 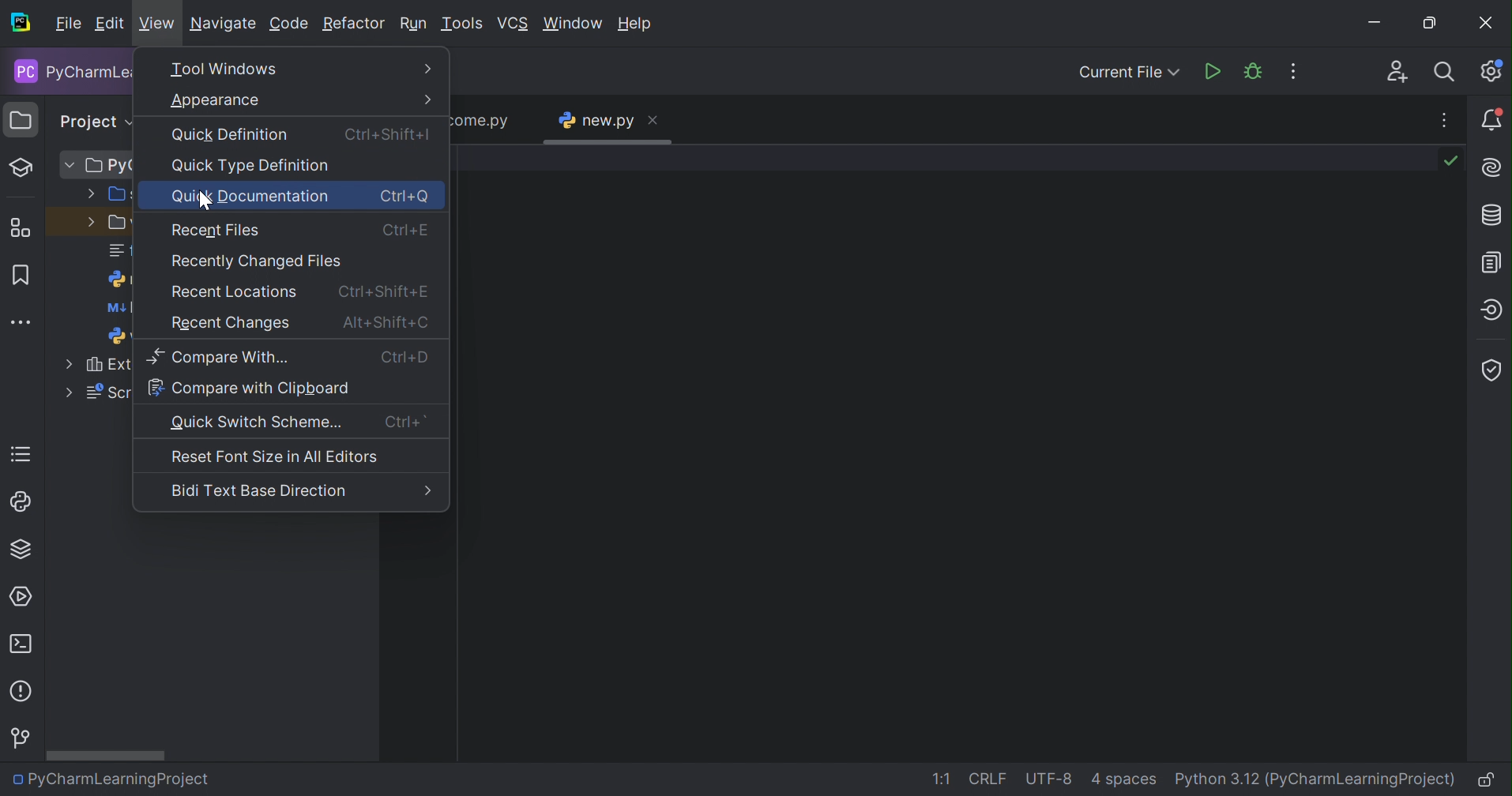 What do you see at coordinates (21, 24) in the screenshot?
I see `PyCharm icon` at bounding box center [21, 24].